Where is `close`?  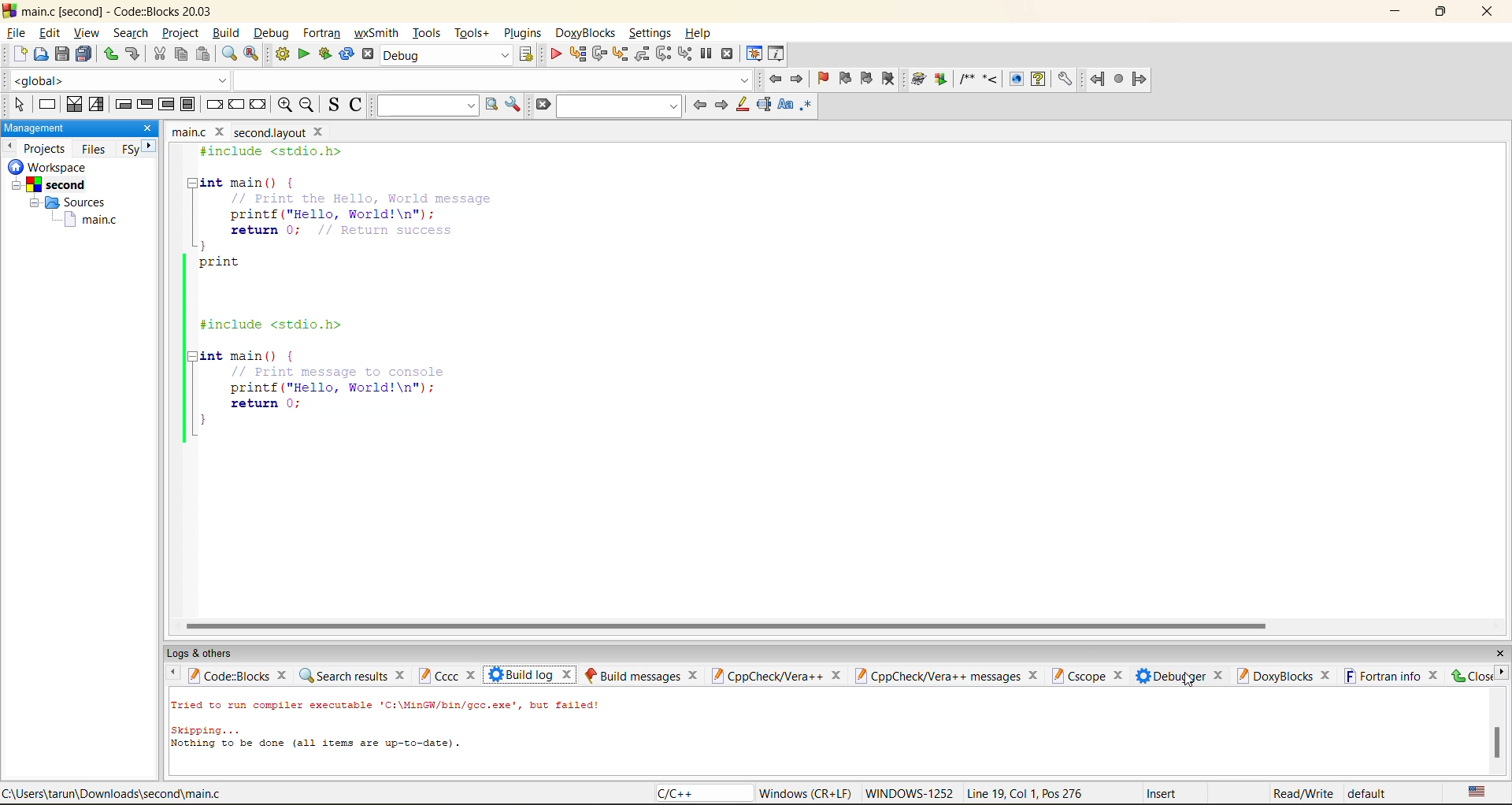
close is located at coordinates (150, 128).